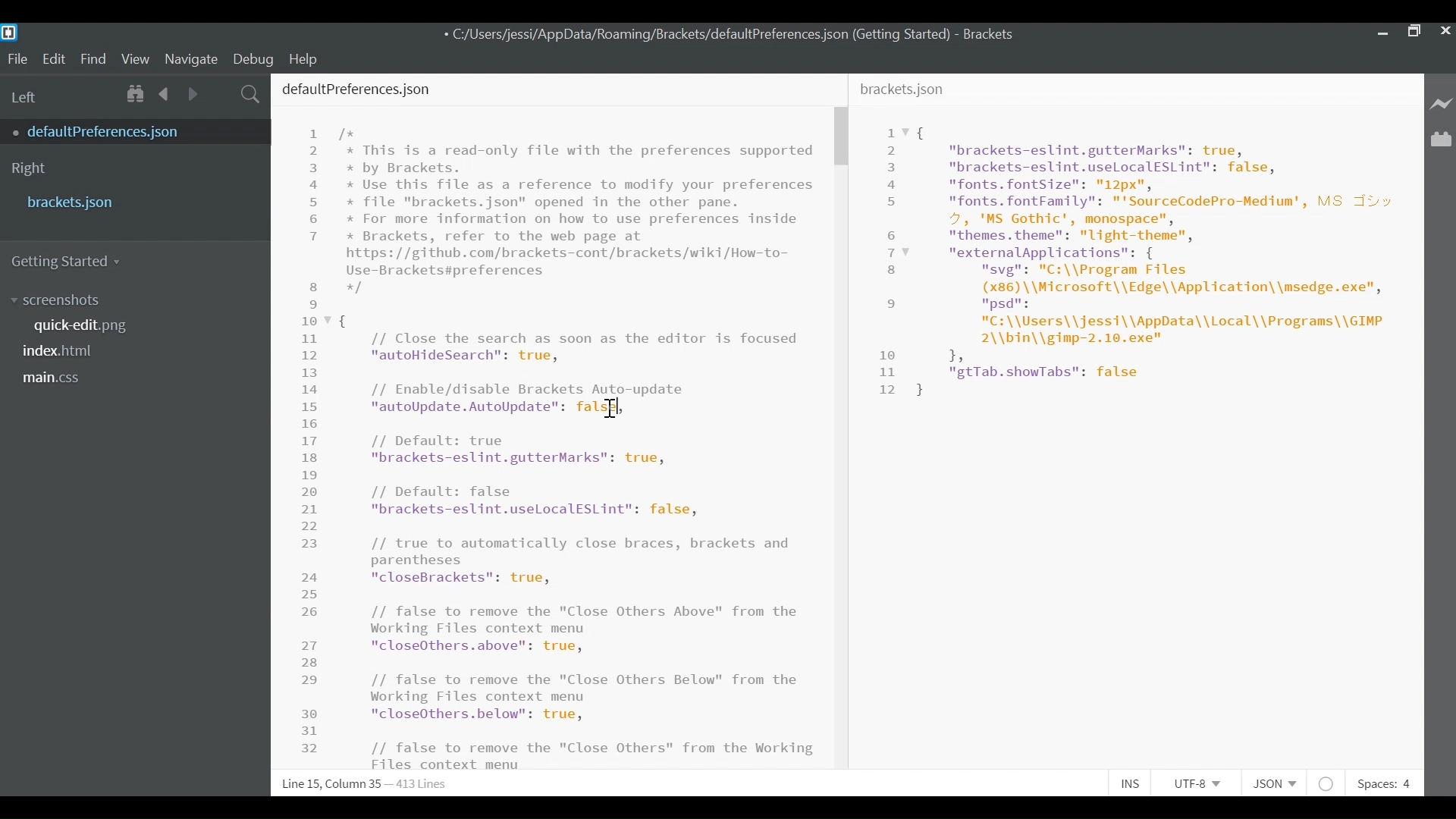  Describe the element at coordinates (137, 93) in the screenshot. I see `Show Files in tree` at that location.